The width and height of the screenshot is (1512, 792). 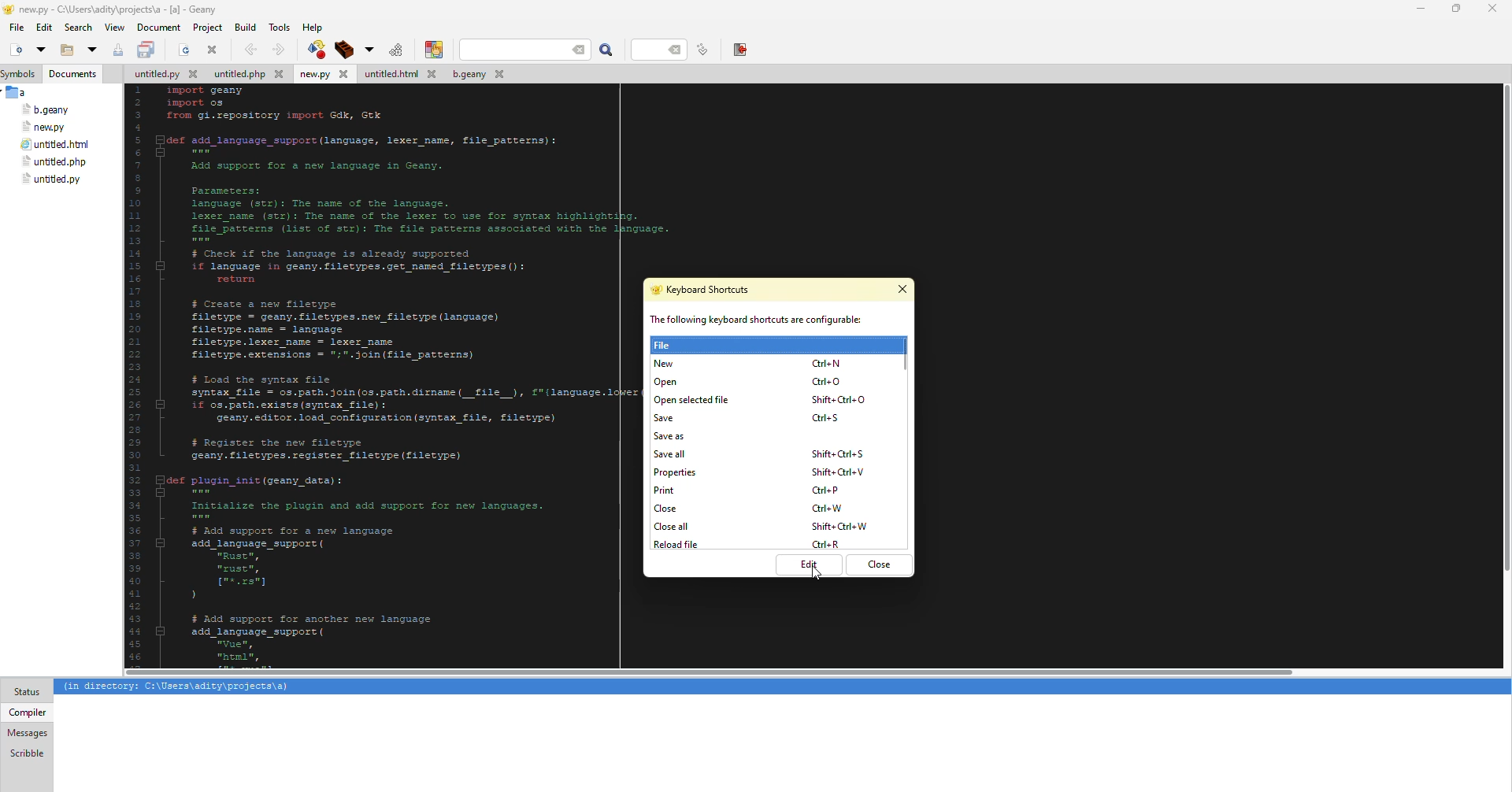 What do you see at coordinates (63, 51) in the screenshot?
I see `open` at bounding box center [63, 51].